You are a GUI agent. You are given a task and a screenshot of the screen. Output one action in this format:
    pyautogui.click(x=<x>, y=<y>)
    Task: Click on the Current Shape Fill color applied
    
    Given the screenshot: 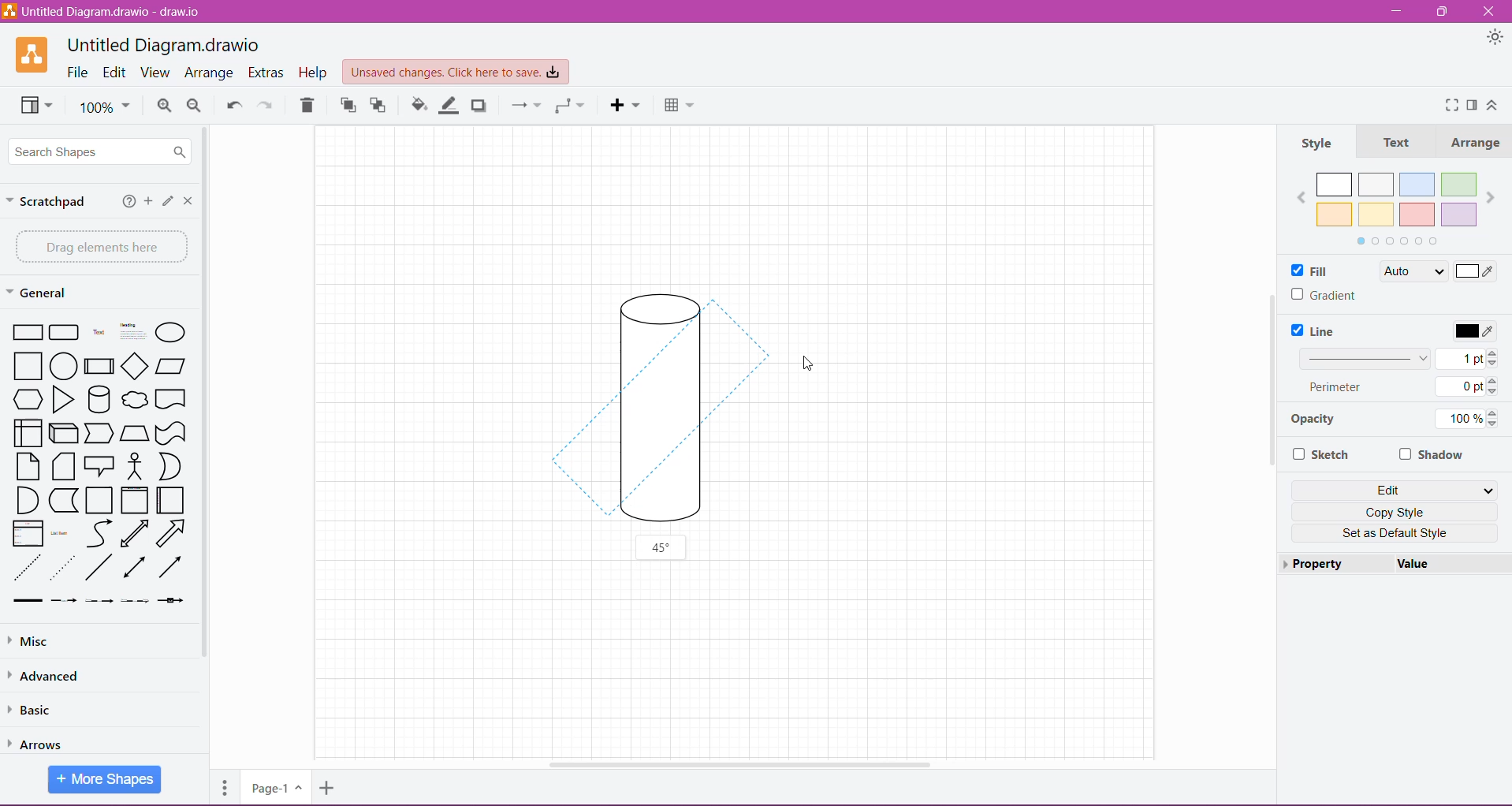 What is the action you would take?
    pyautogui.click(x=1444, y=272)
    